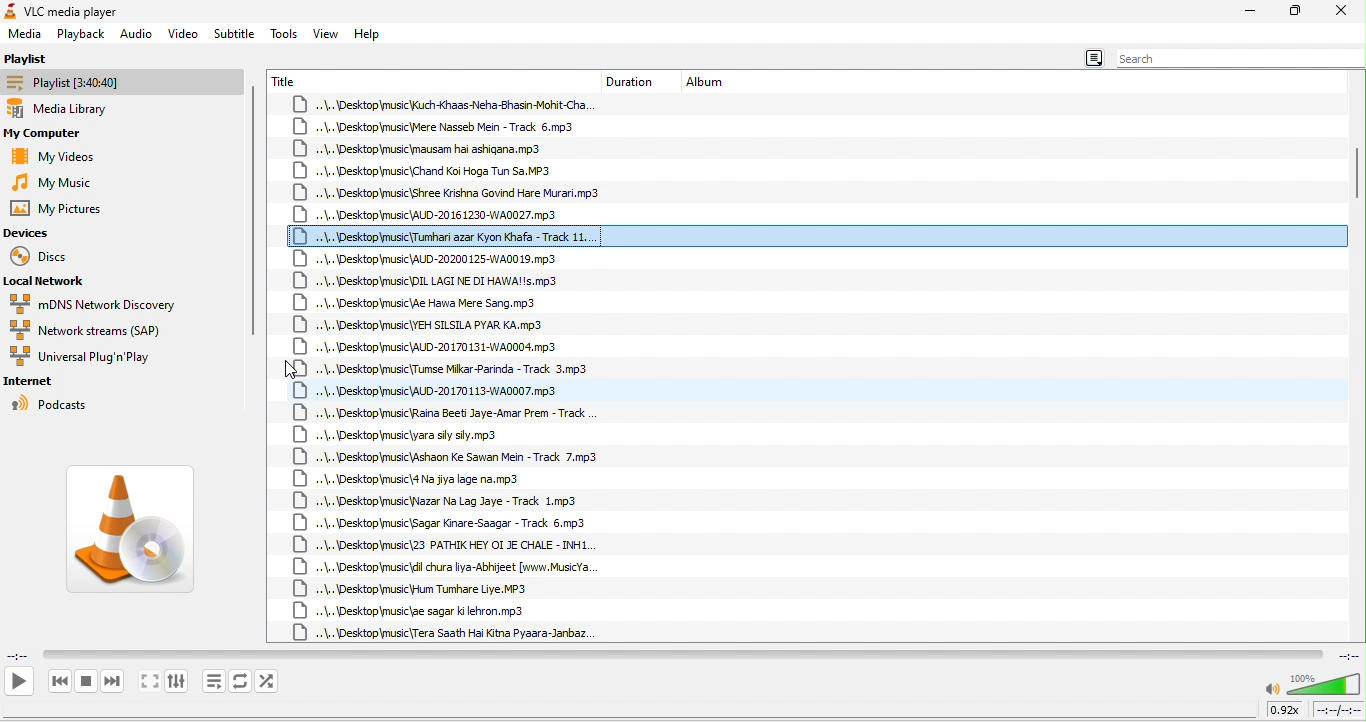 The width and height of the screenshot is (1366, 722). What do you see at coordinates (456, 567) in the screenshot?
I see `..\..\Desktopmusic\dil chura liya-Abhijeet [www.MusicYa.` at bounding box center [456, 567].